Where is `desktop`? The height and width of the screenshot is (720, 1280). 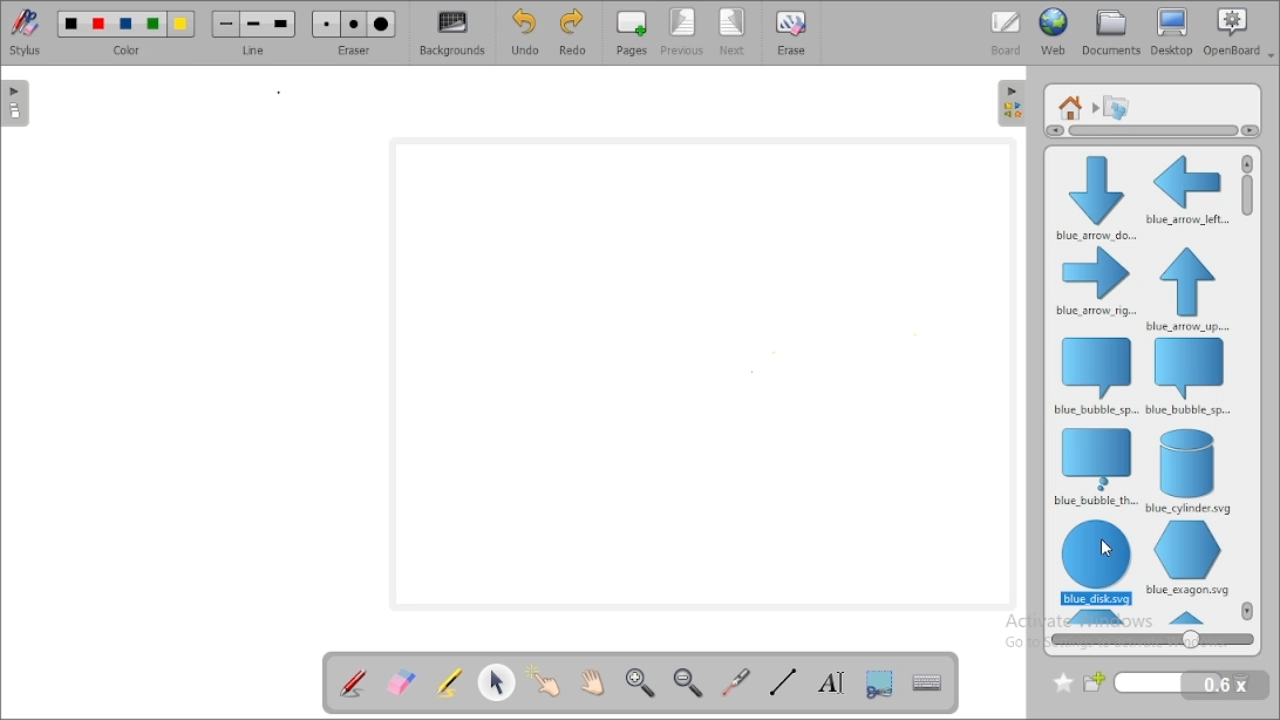 desktop is located at coordinates (1173, 32).